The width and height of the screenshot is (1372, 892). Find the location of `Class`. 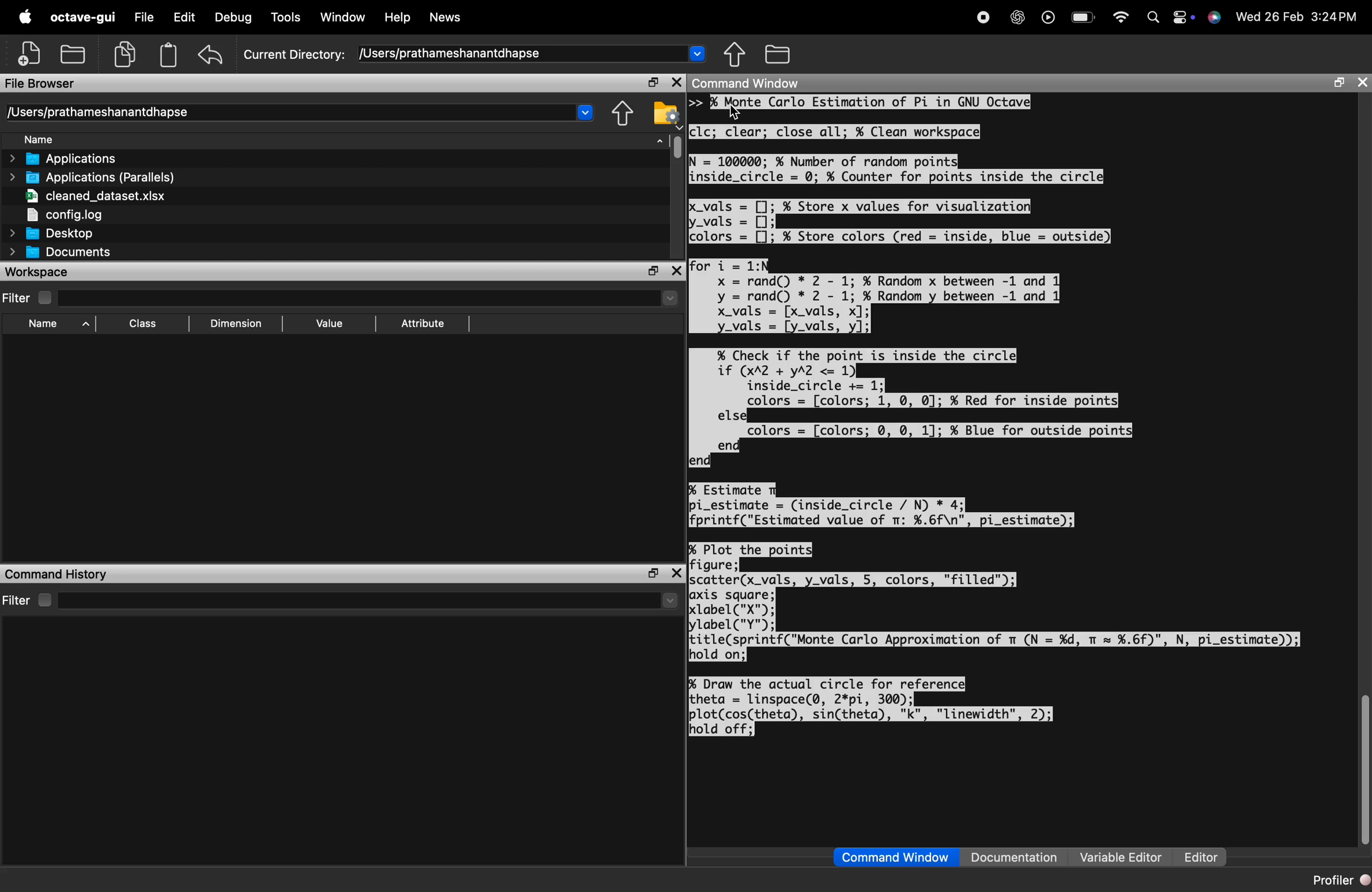

Class is located at coordinates (140, 325).